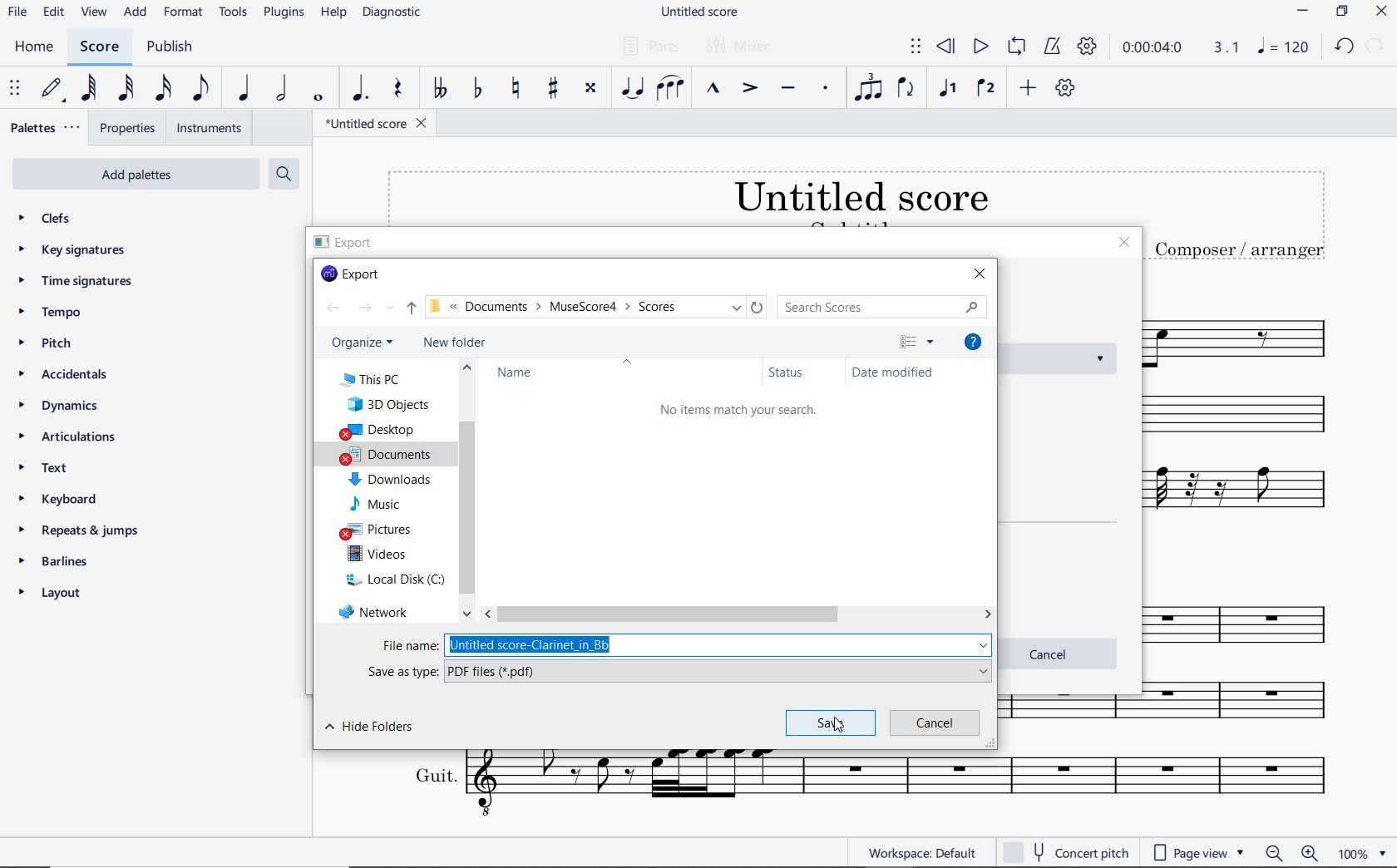  I want to click on FLIP DIRECTION, so click(907, 90).